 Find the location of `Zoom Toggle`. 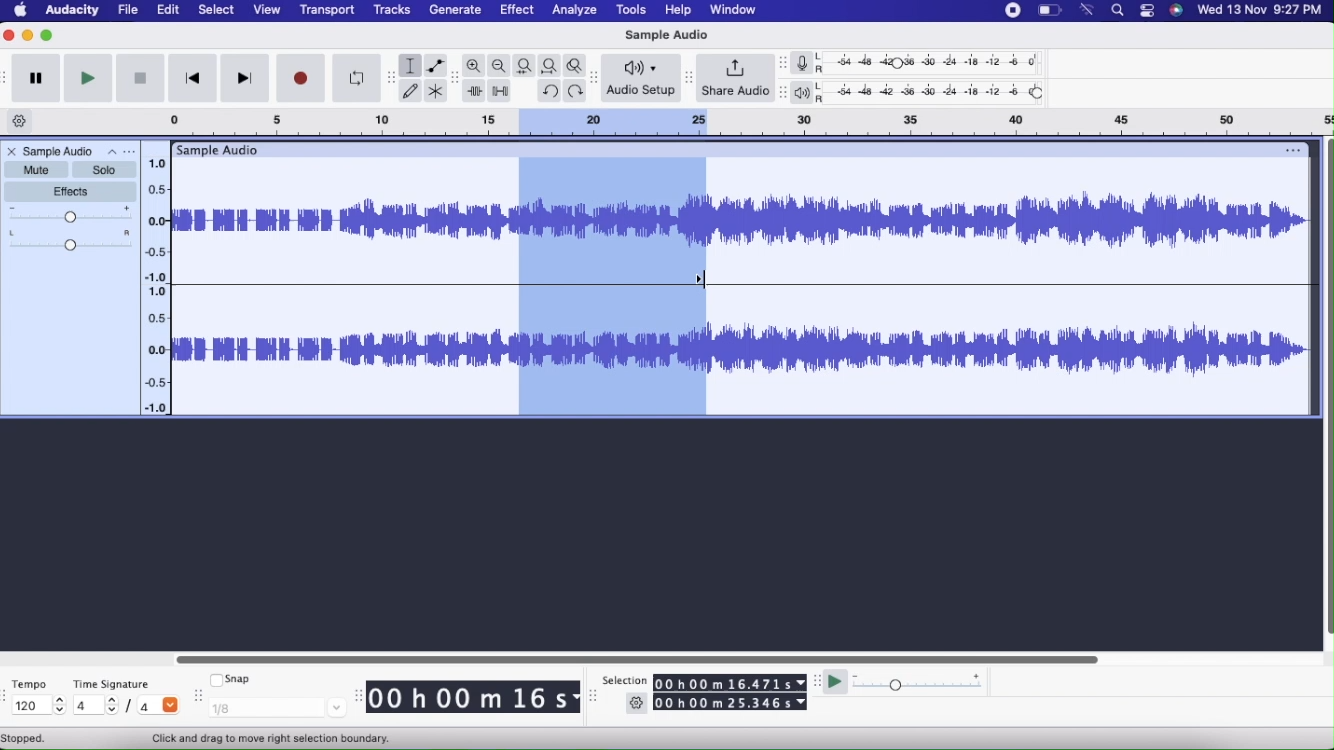

Zoom Toggle is located at coordinates (578, 64).